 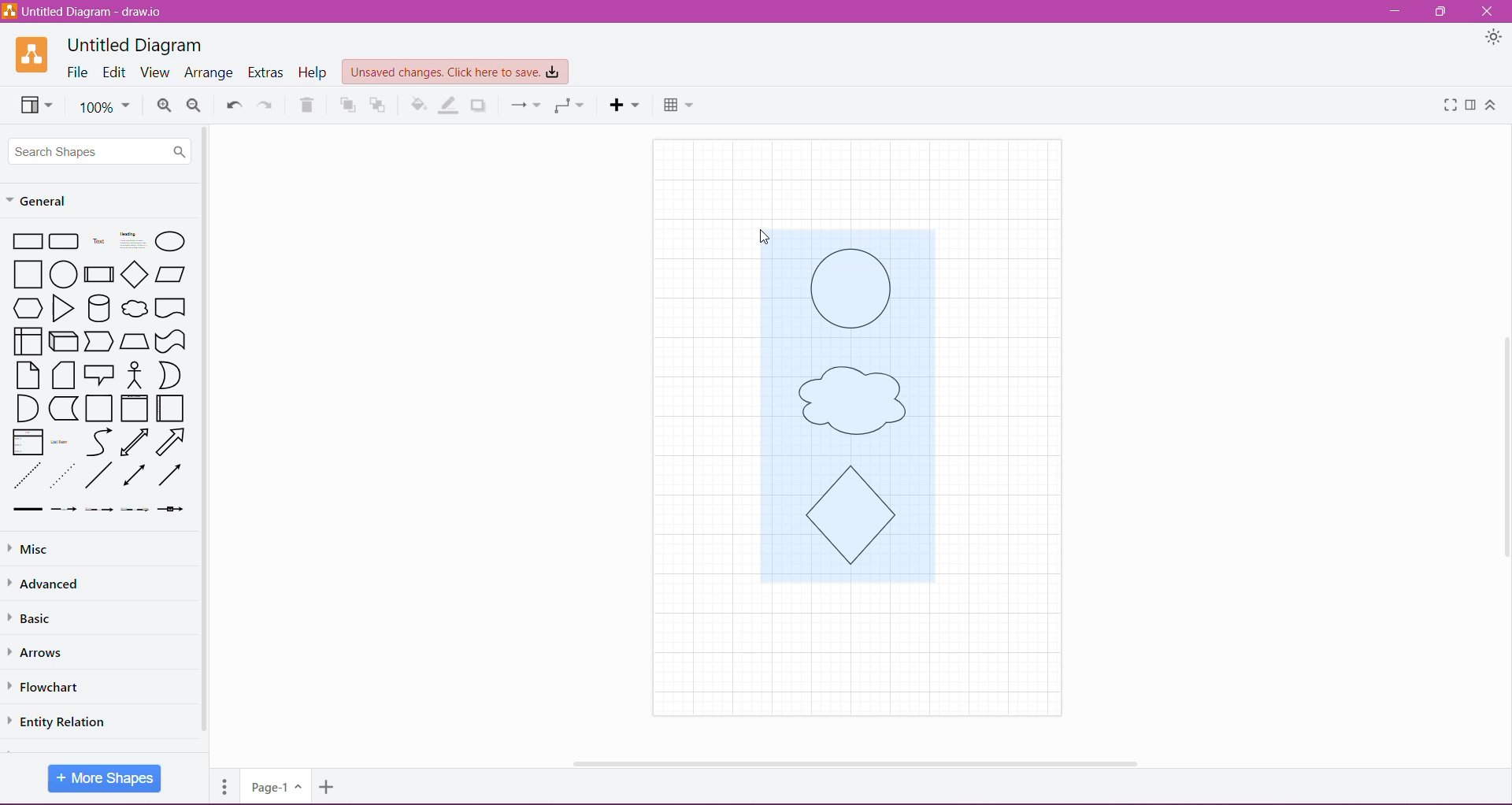 What do you see at coordinates (33, 54) in the screenshot?
I see `Application Logo` at bounding box center [33, 54].